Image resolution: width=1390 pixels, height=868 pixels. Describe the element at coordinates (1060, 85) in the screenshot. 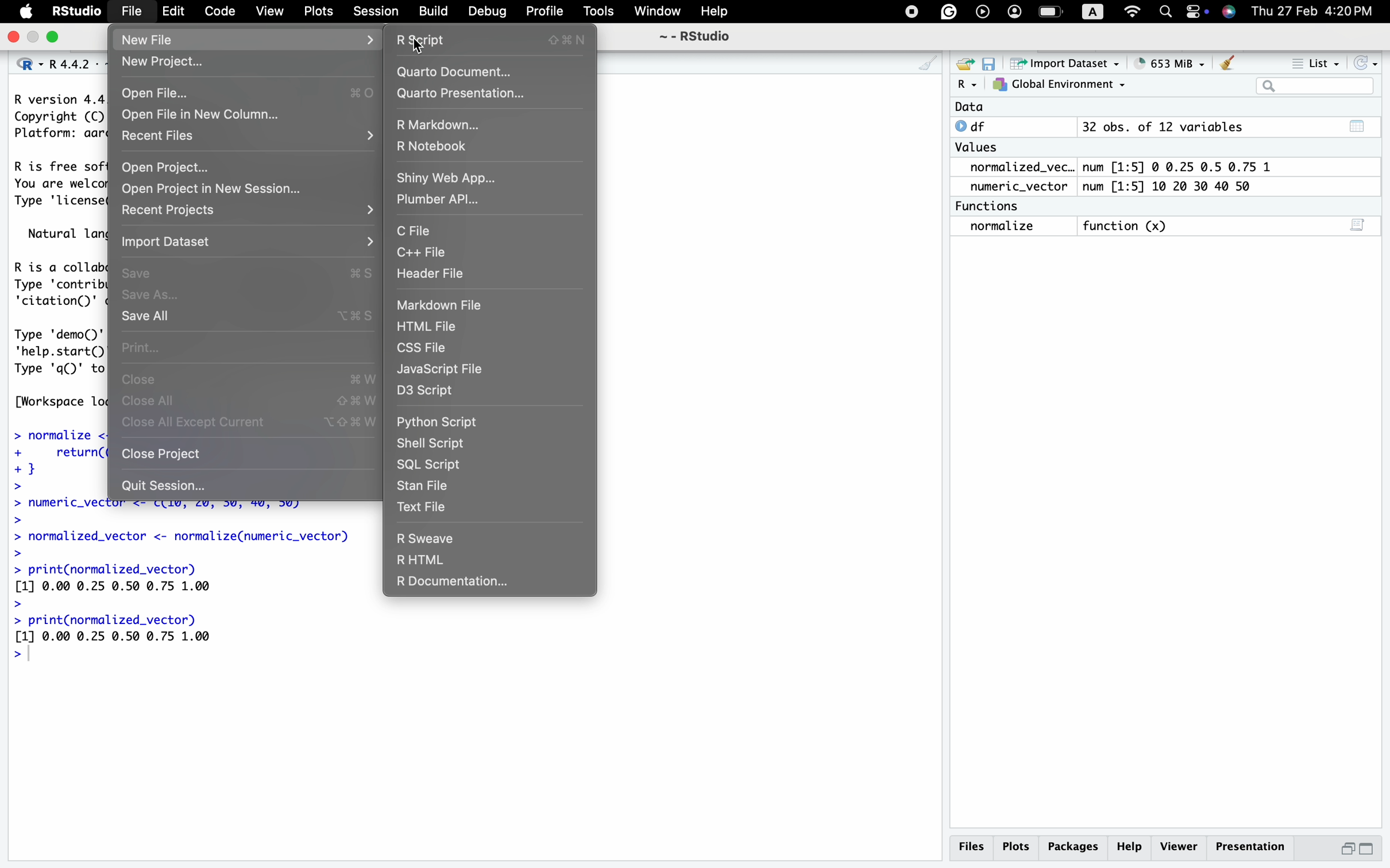

I see `Global Environment` at that location.